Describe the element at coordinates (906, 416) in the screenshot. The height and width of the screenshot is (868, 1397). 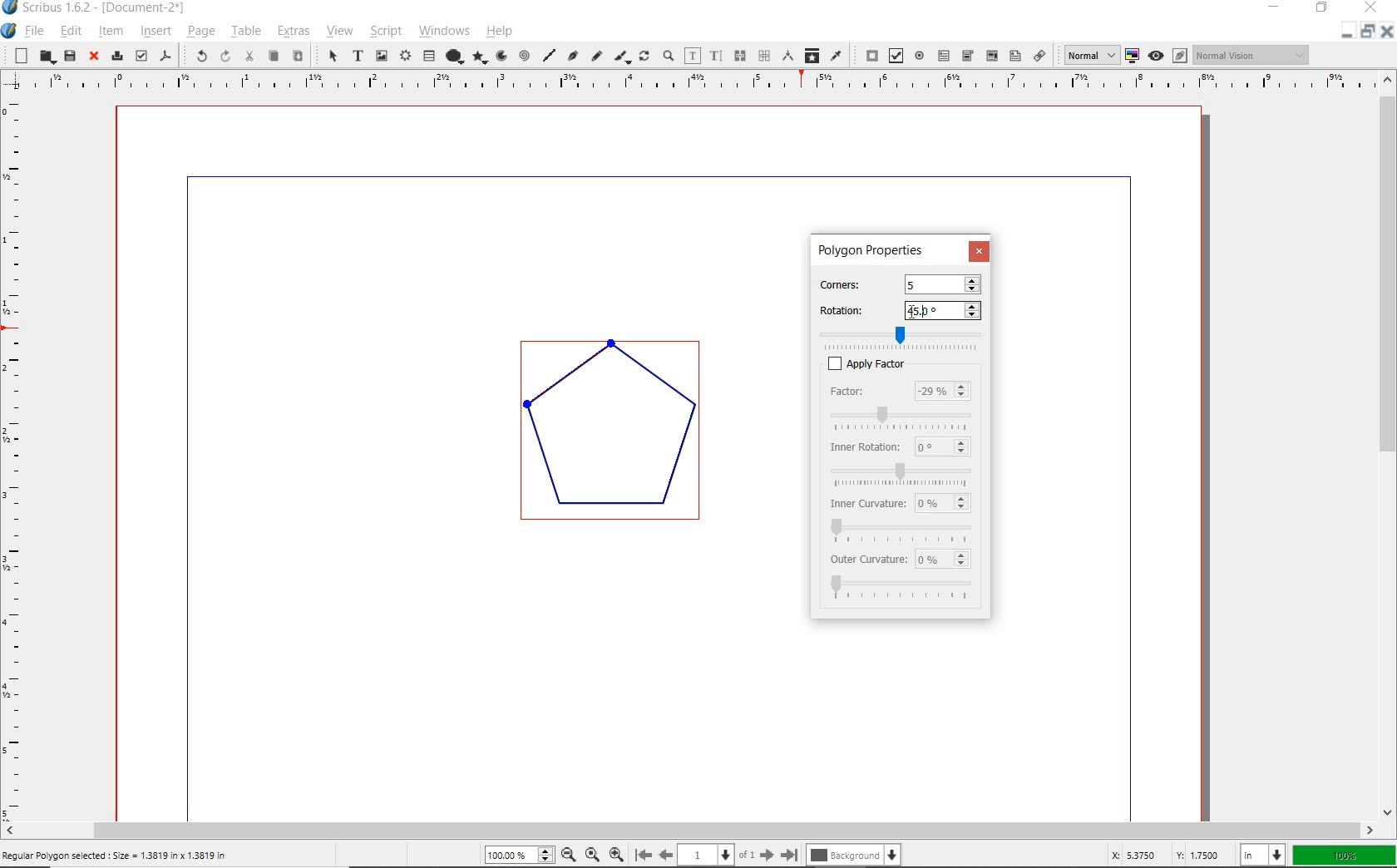
I see `factor slider` at that location.